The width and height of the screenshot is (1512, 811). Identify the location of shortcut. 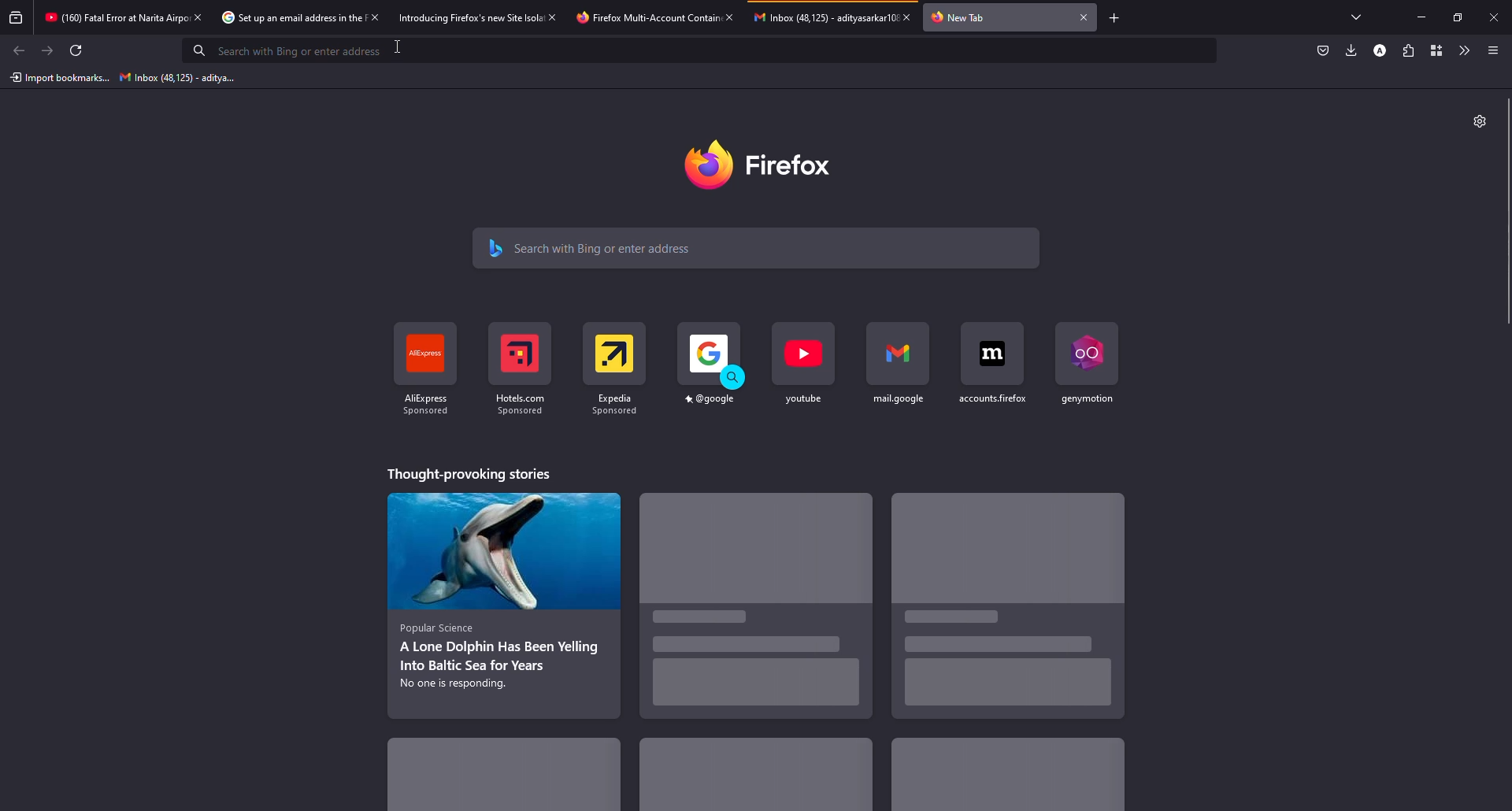
(1084, 369).